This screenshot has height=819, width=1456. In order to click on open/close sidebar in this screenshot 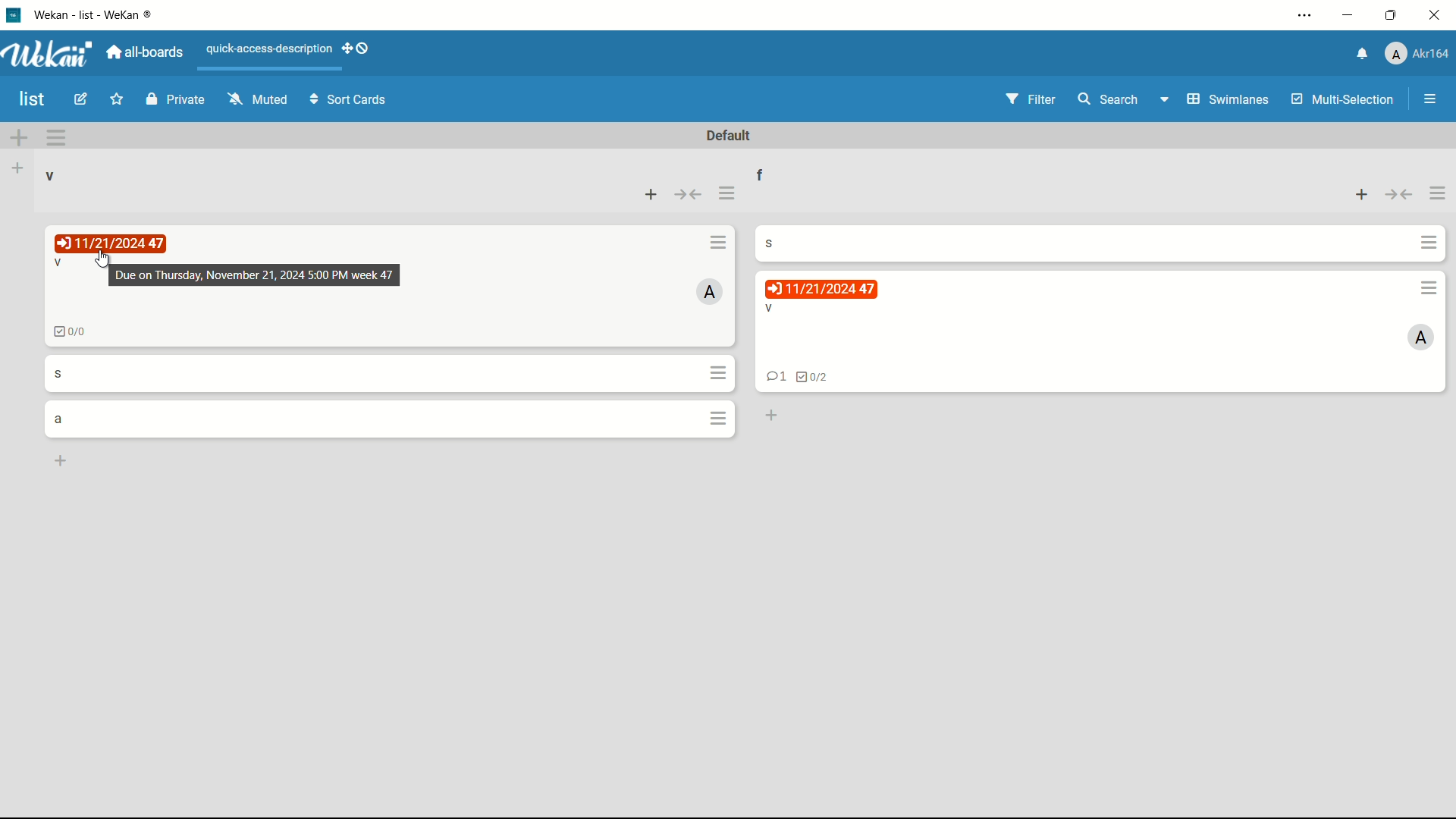, I will do `click(1430, 101)`.